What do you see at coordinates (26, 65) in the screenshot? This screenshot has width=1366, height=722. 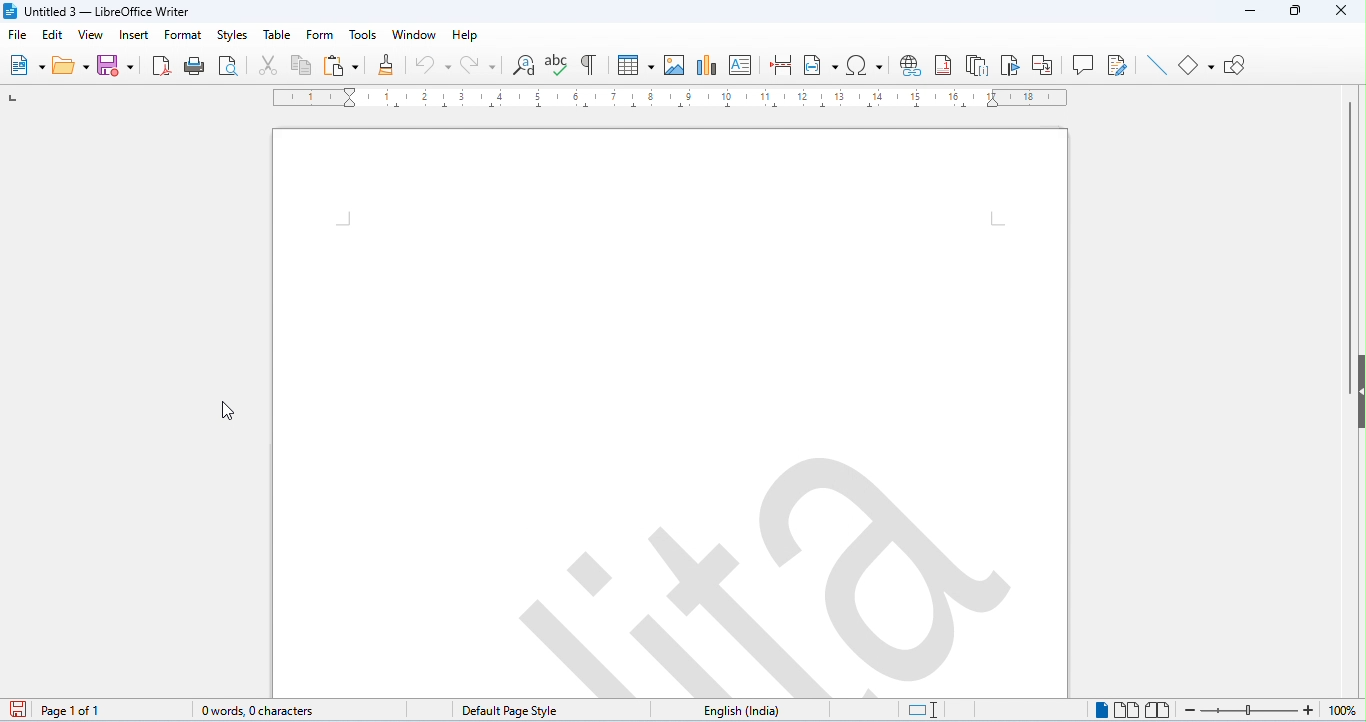 I see `new` at bounding box center [26, 65].